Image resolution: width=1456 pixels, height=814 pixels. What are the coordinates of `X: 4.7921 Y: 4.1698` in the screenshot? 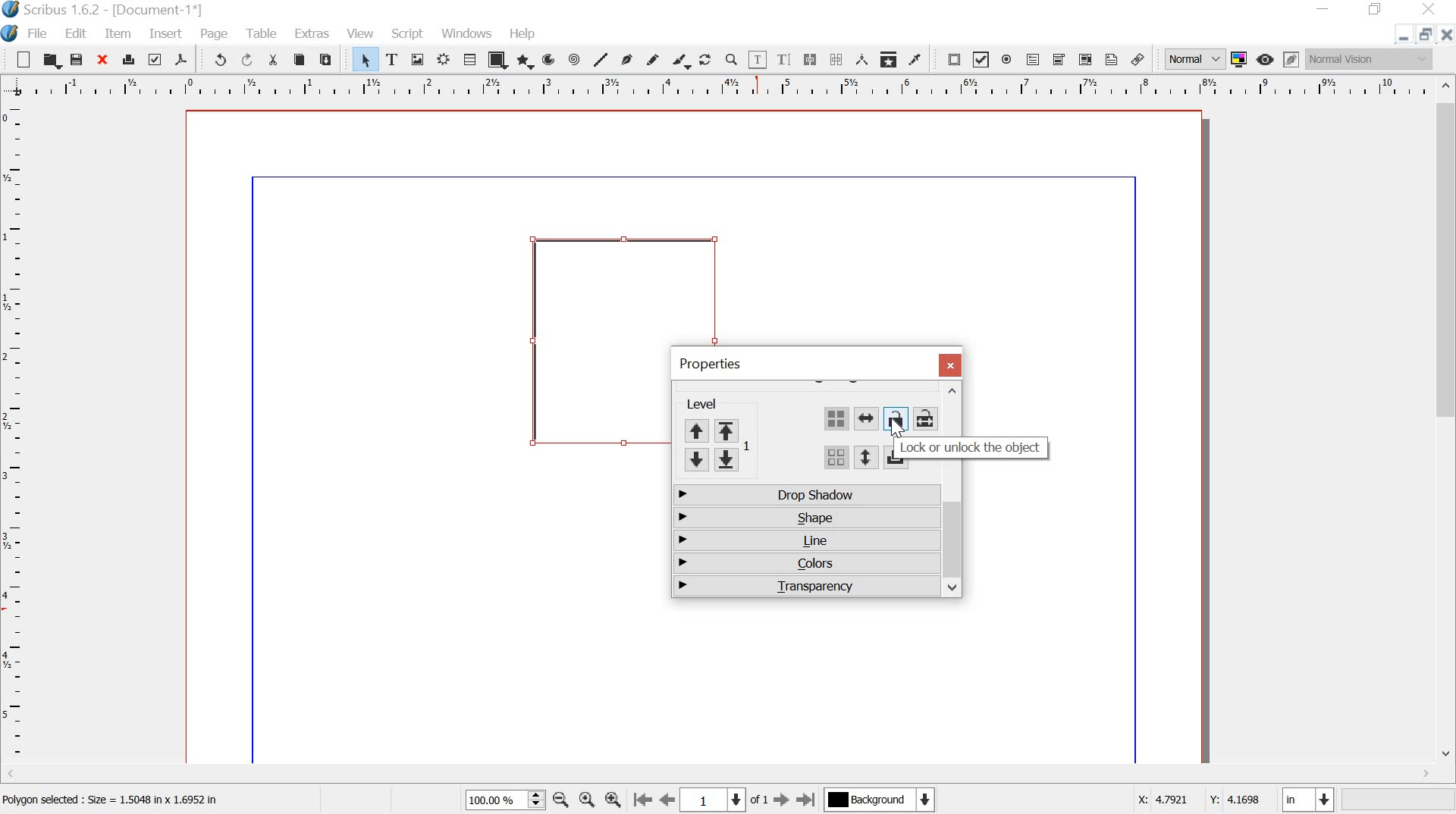 It's located at (1200, 802).